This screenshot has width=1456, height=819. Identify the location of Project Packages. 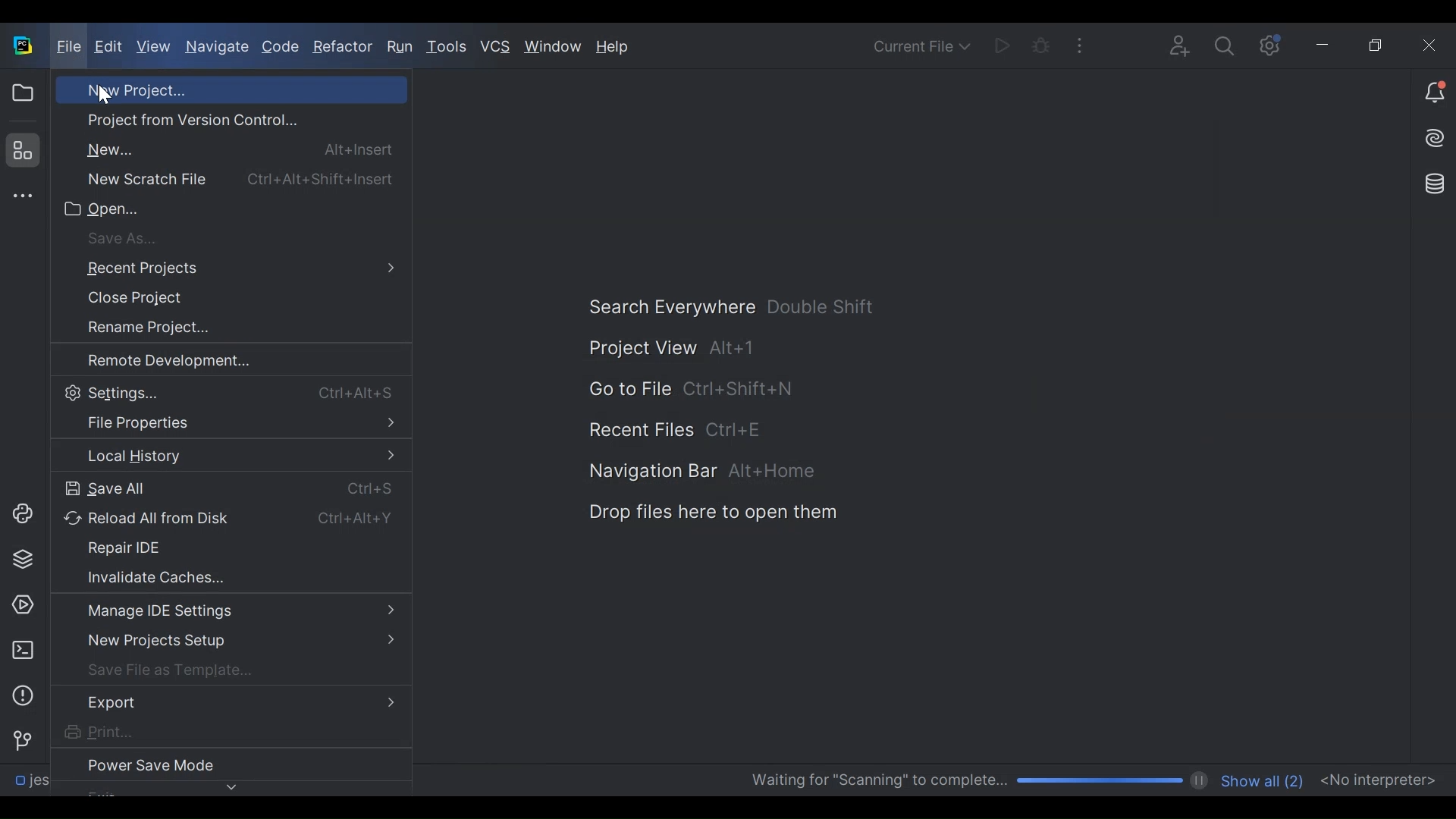
(20, 560).